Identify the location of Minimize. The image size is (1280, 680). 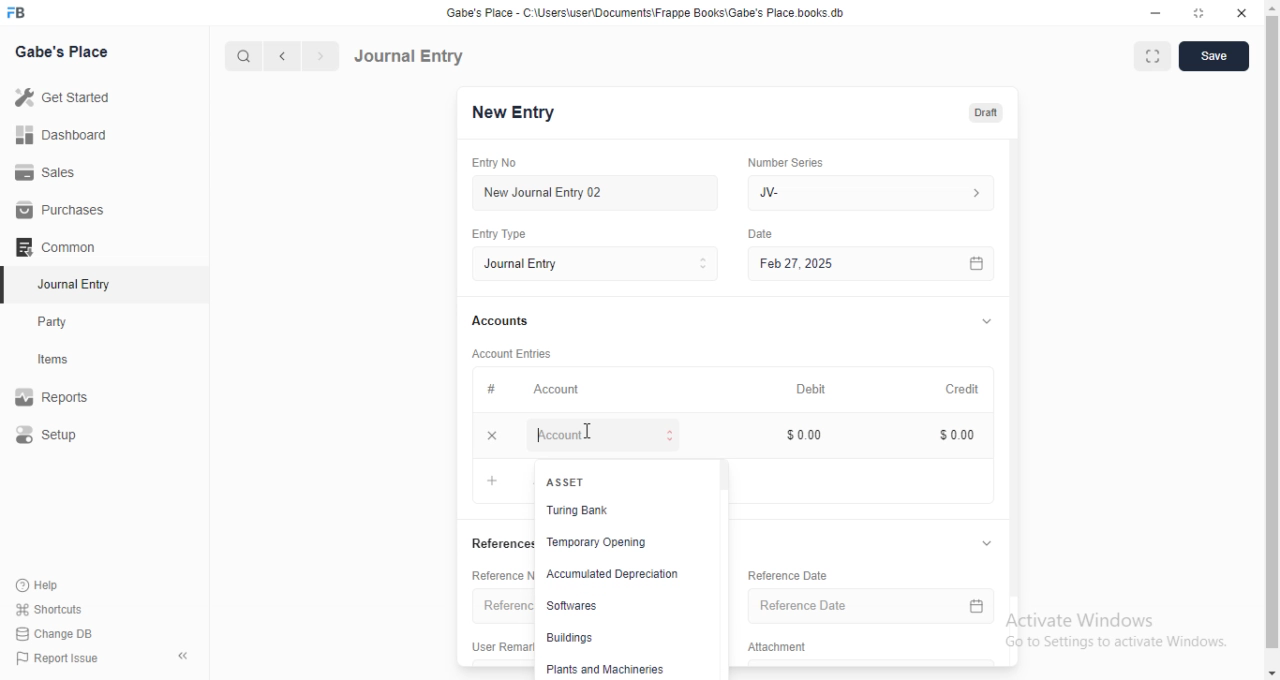
(1153, 12).